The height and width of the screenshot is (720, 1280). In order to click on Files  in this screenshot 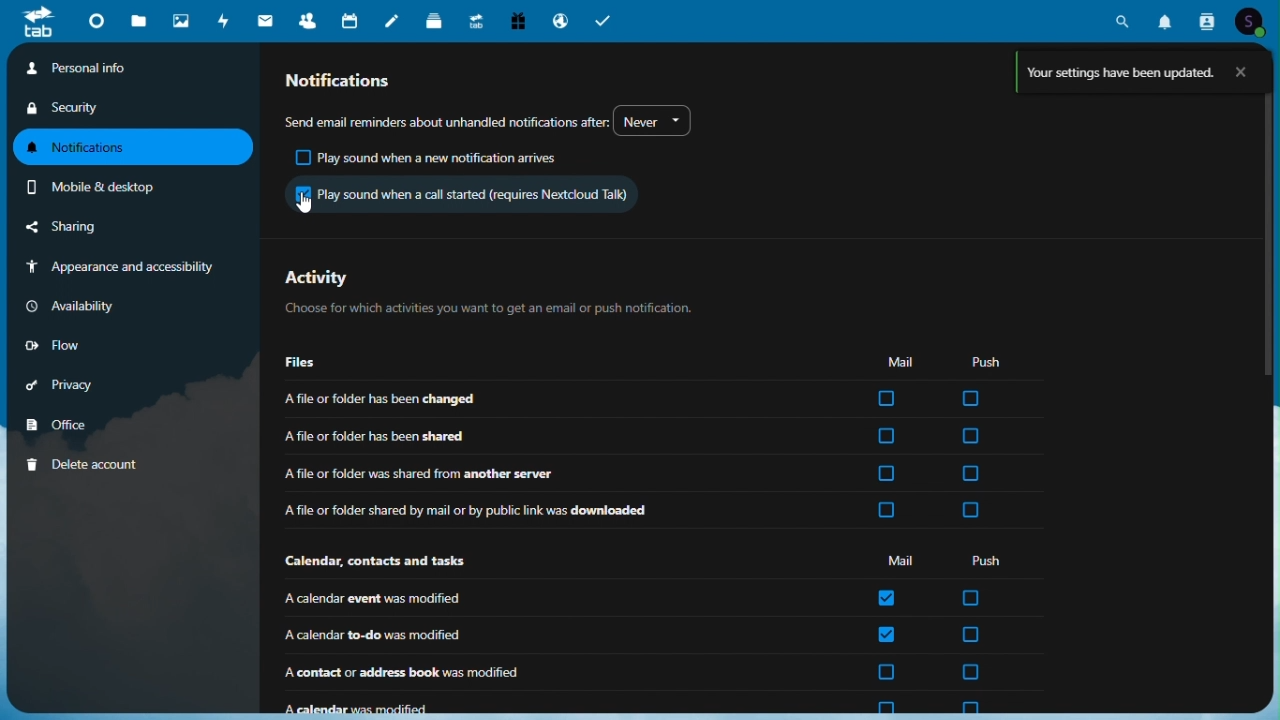, I will do `click(307, 363)`.